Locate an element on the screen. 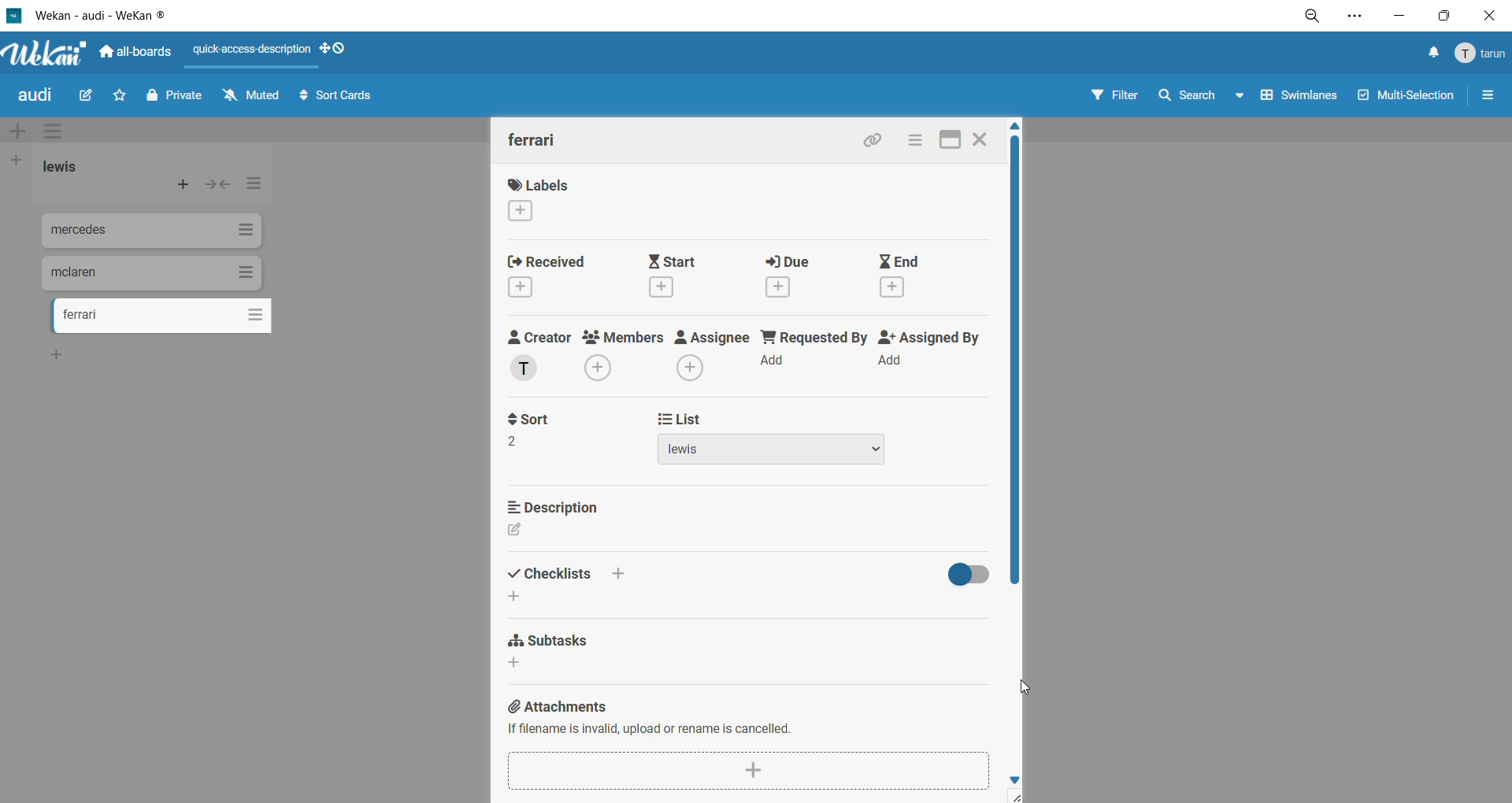  add card is located at coordinates (180, 183).